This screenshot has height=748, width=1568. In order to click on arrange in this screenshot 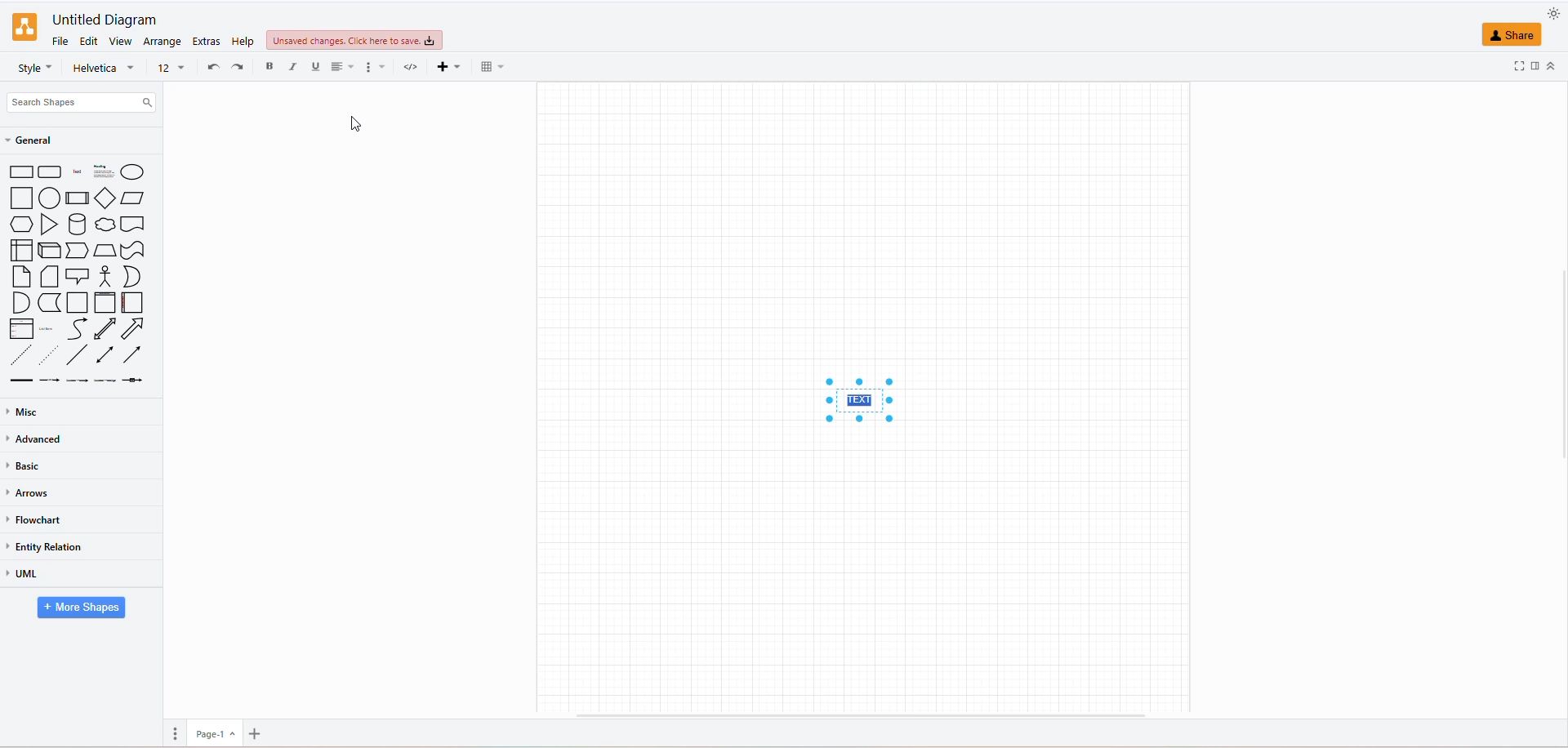, I will do `click(164, 41)`.